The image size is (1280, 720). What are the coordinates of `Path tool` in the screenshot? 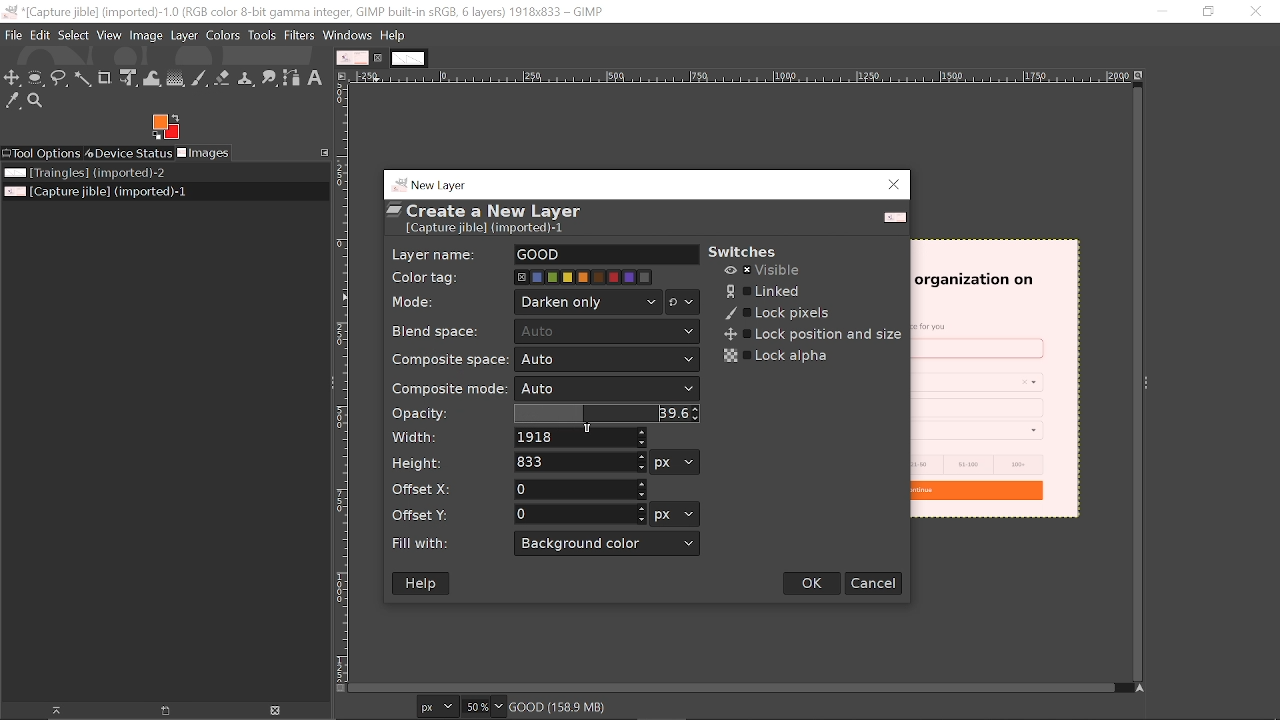 It's located at (292, 78).